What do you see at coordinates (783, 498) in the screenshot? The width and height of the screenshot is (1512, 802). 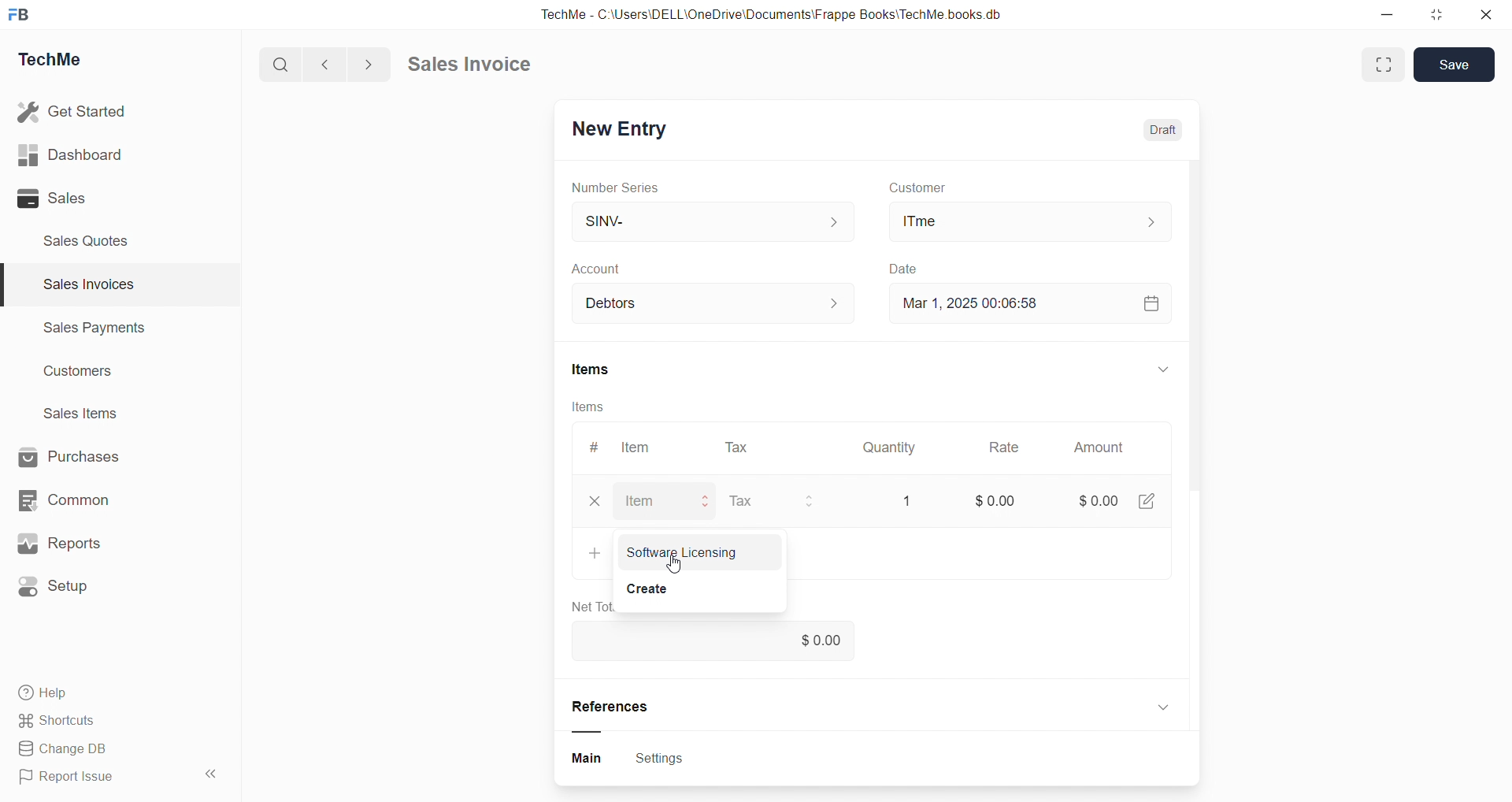 I see ` Tax ` at bounding box center [783, 498].